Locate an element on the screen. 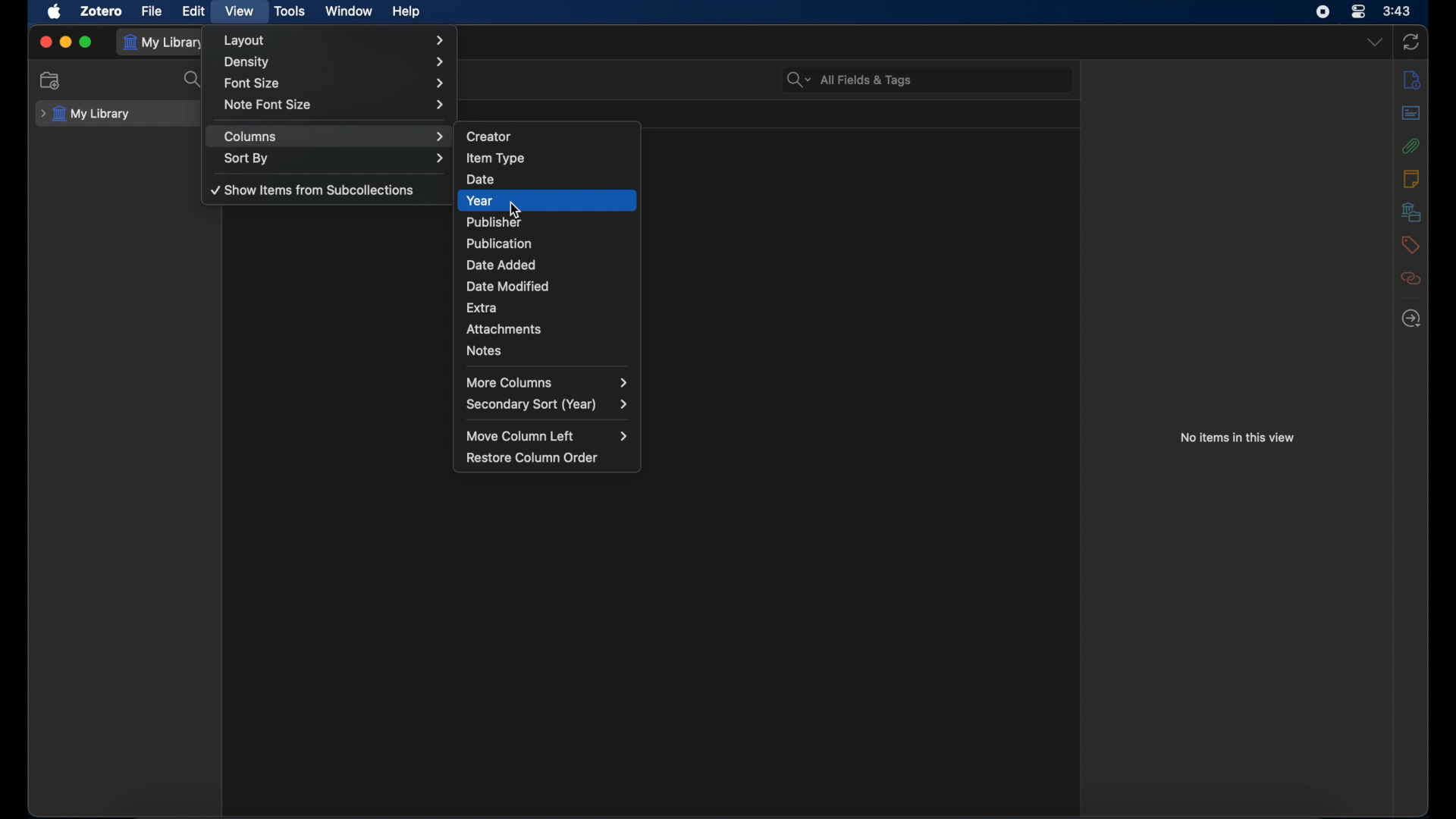  columns is located at coordinates (334, 136).